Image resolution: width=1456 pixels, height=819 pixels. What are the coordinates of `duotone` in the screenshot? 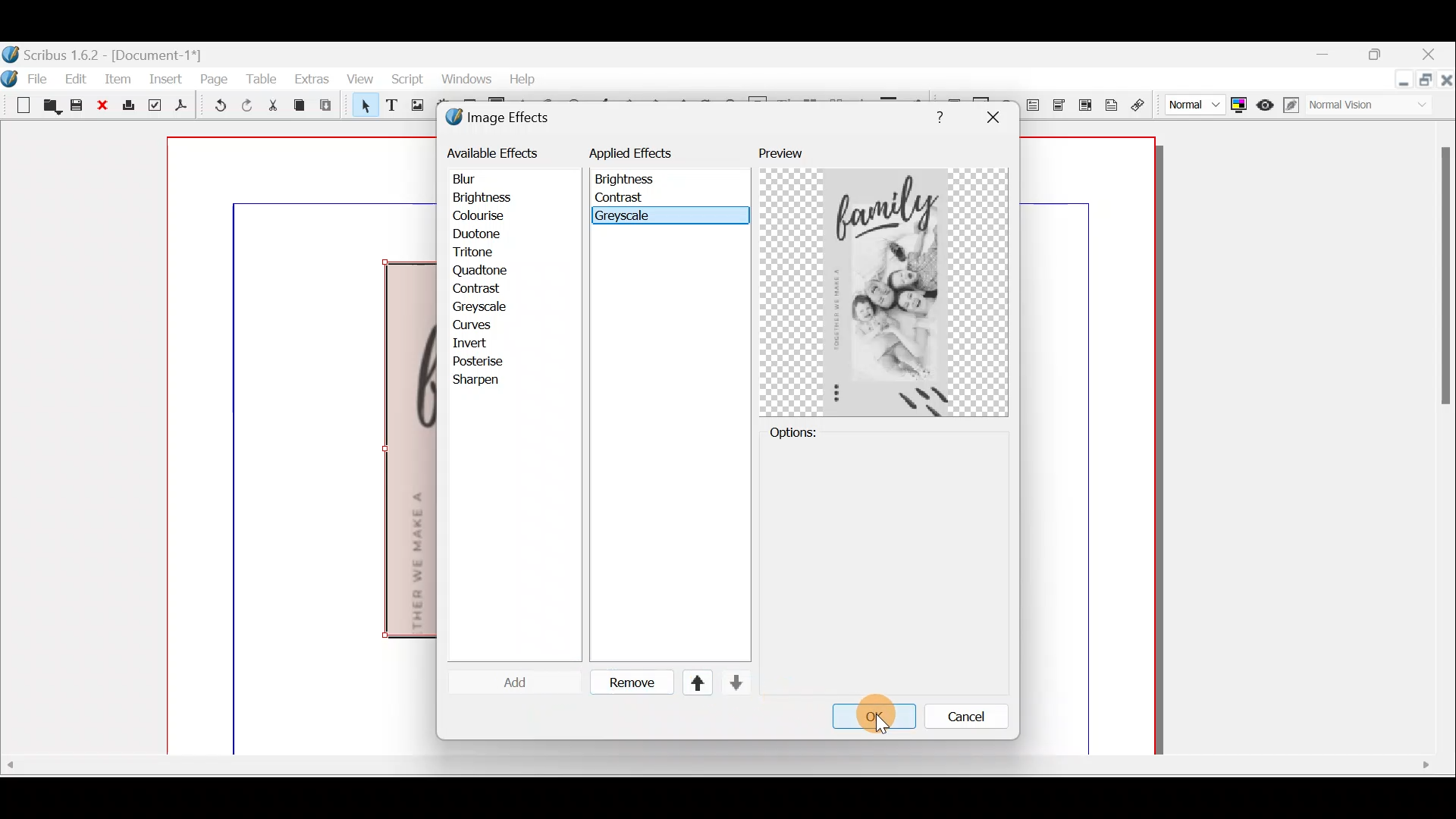 It's located at (498, 234).